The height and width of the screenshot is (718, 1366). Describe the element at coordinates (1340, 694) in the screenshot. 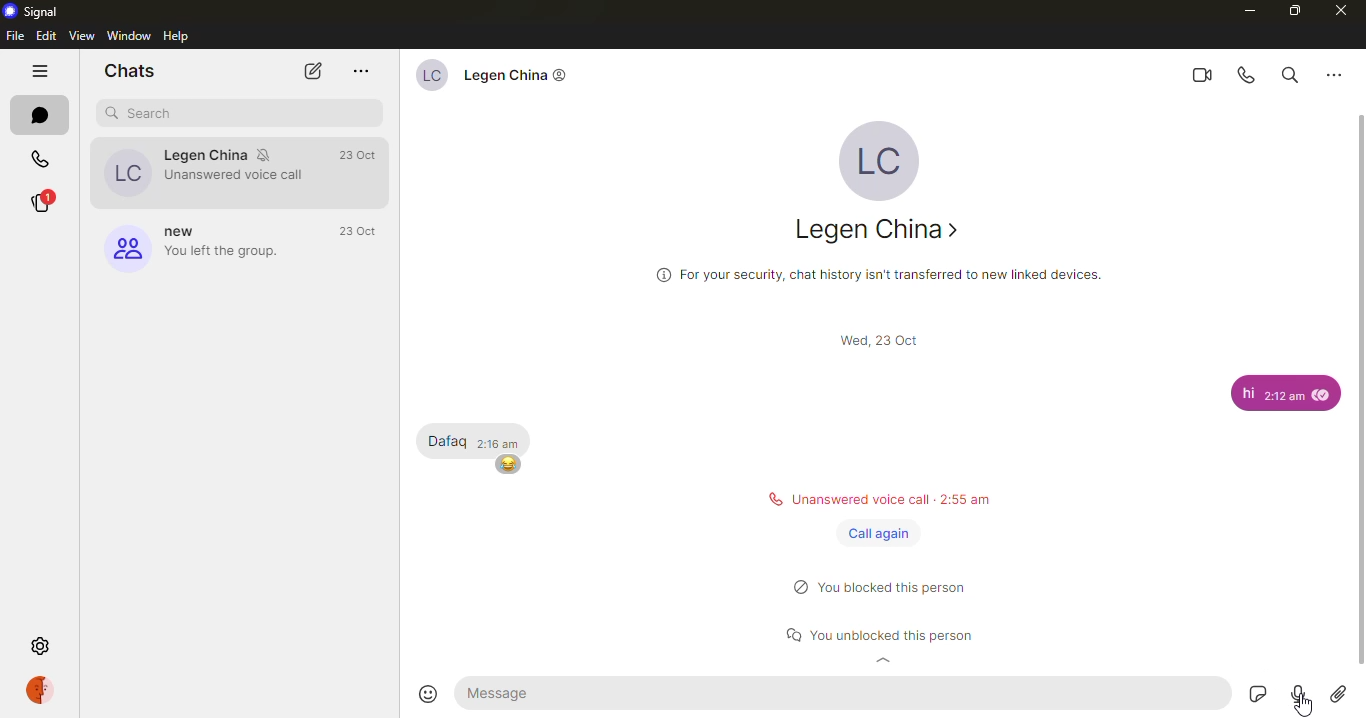

I see `attach` at that location.